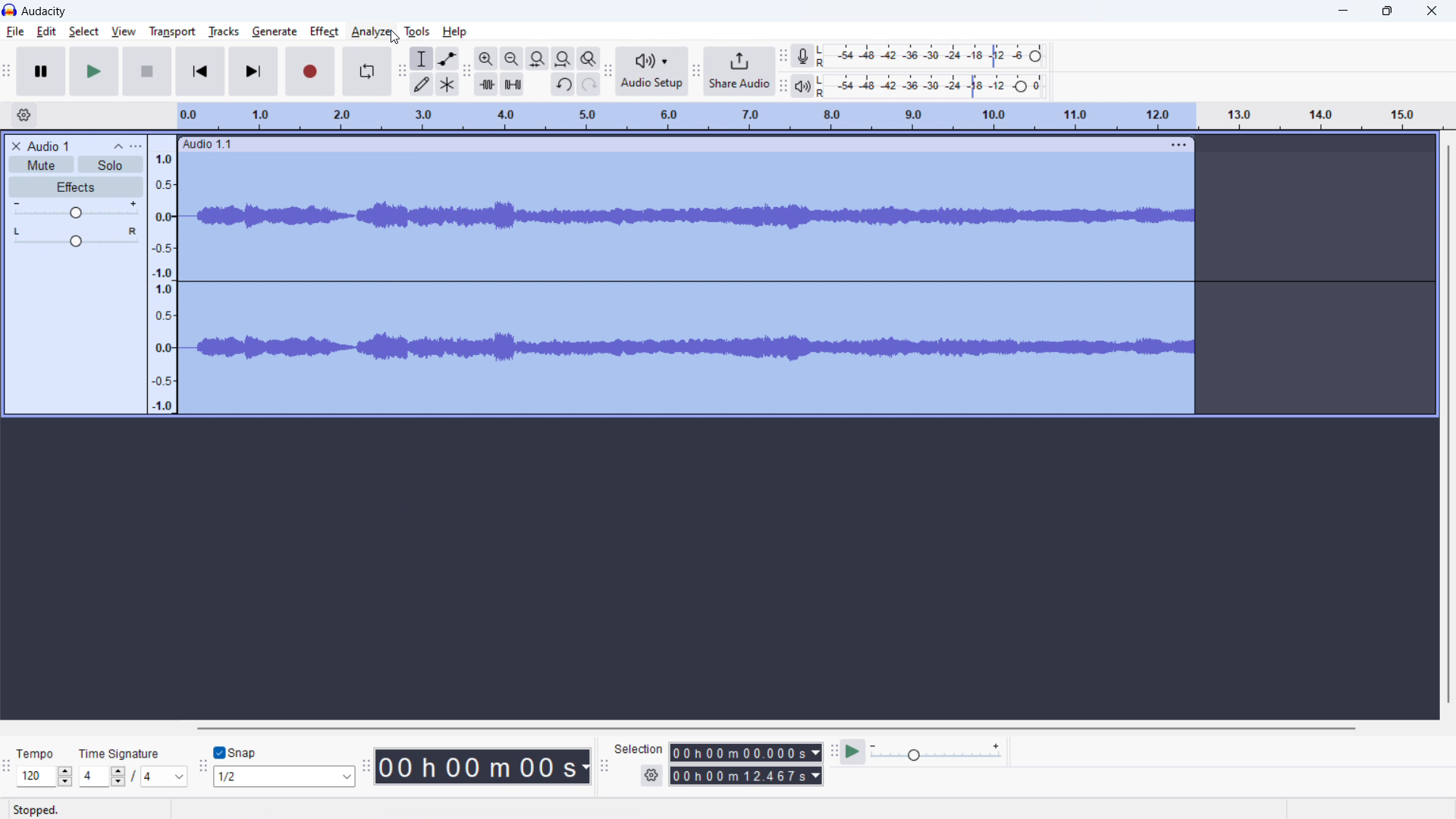  What do you see at coordinates (10, 764) in the screenshot?
I see `time signature toolbar` at bounding box center [10, 764].